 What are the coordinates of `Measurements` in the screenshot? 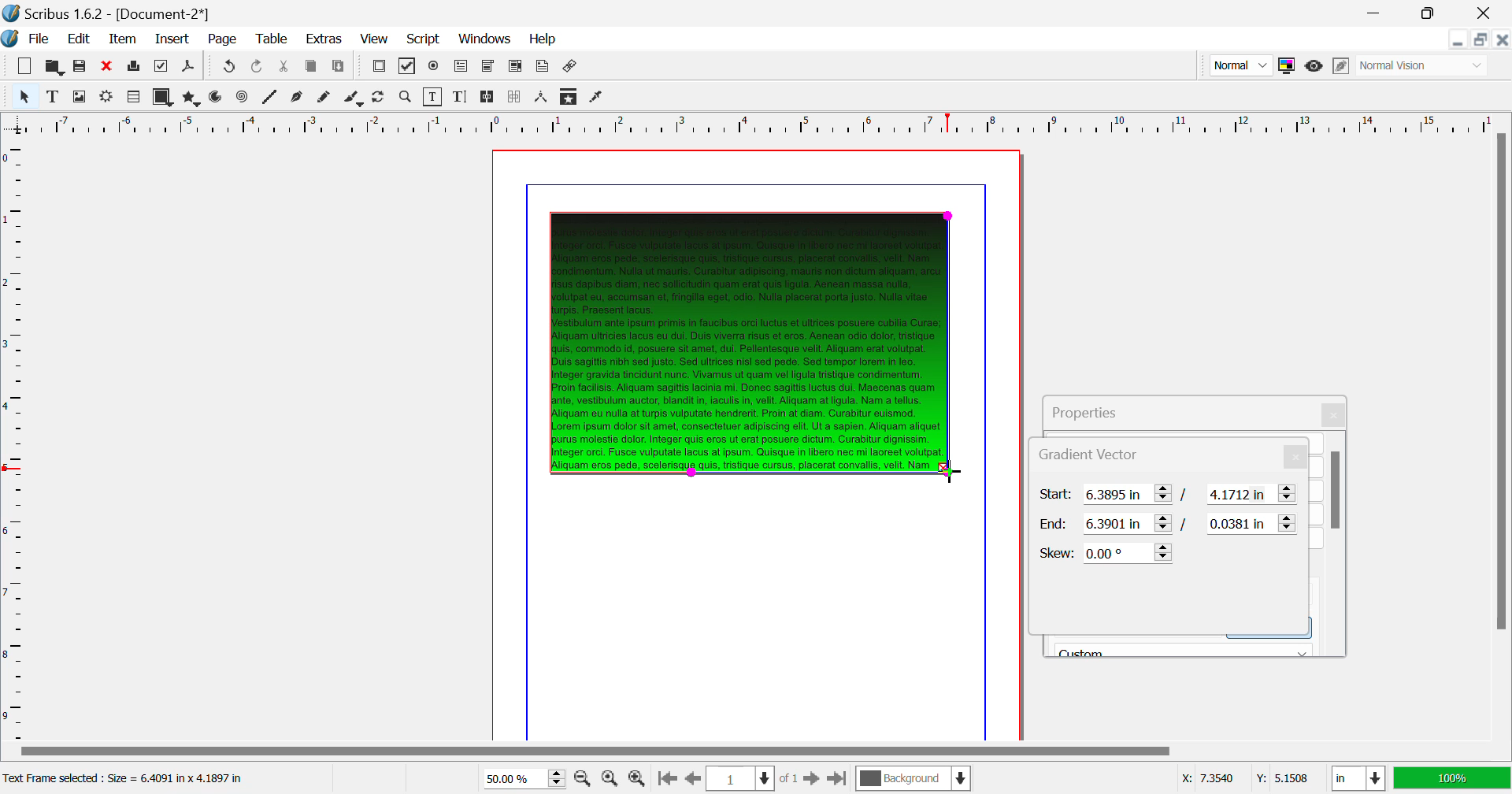 It's located at (543, 98).